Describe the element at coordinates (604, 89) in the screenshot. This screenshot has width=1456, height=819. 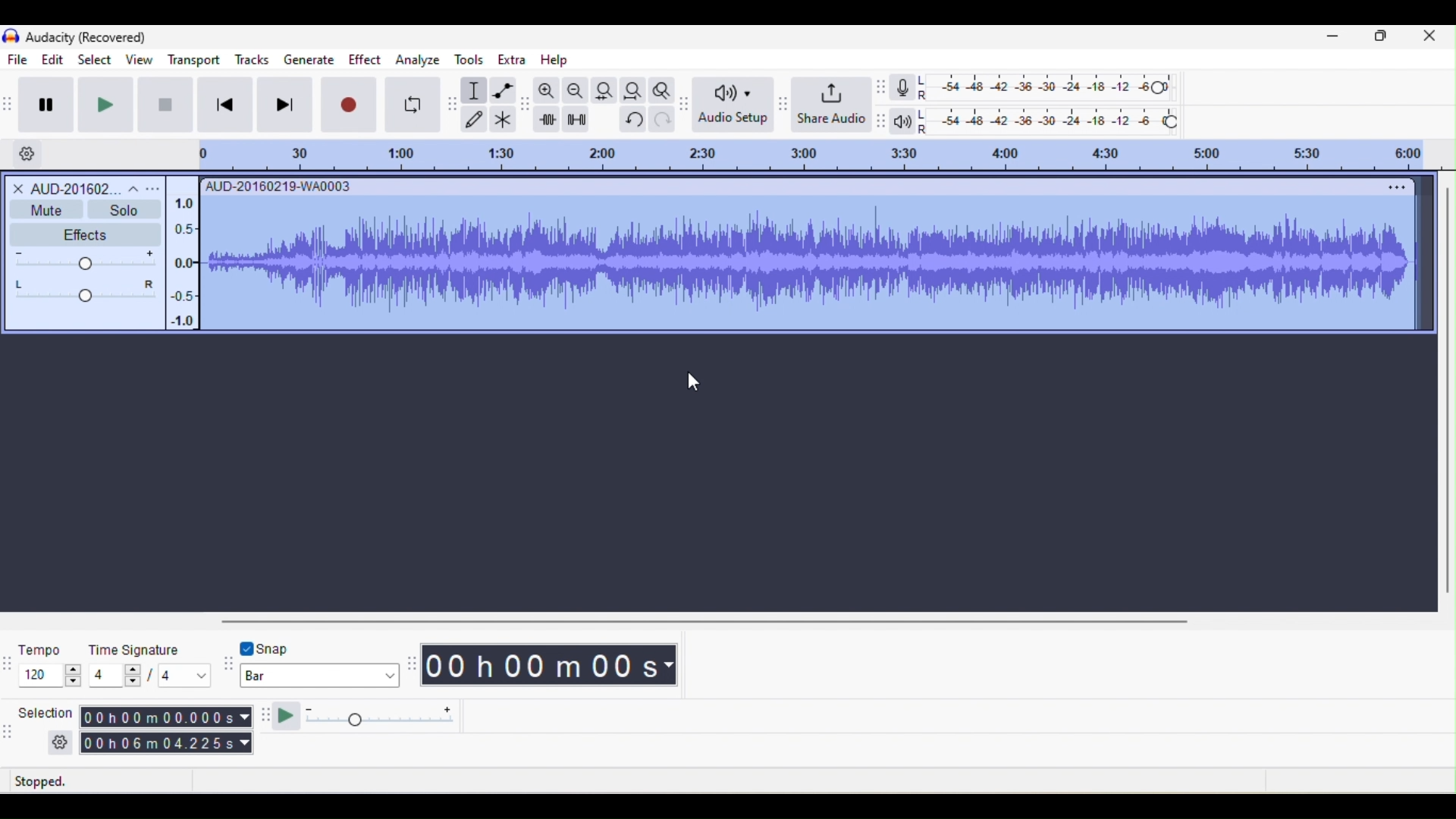
I see `fit selection to width` at that location.